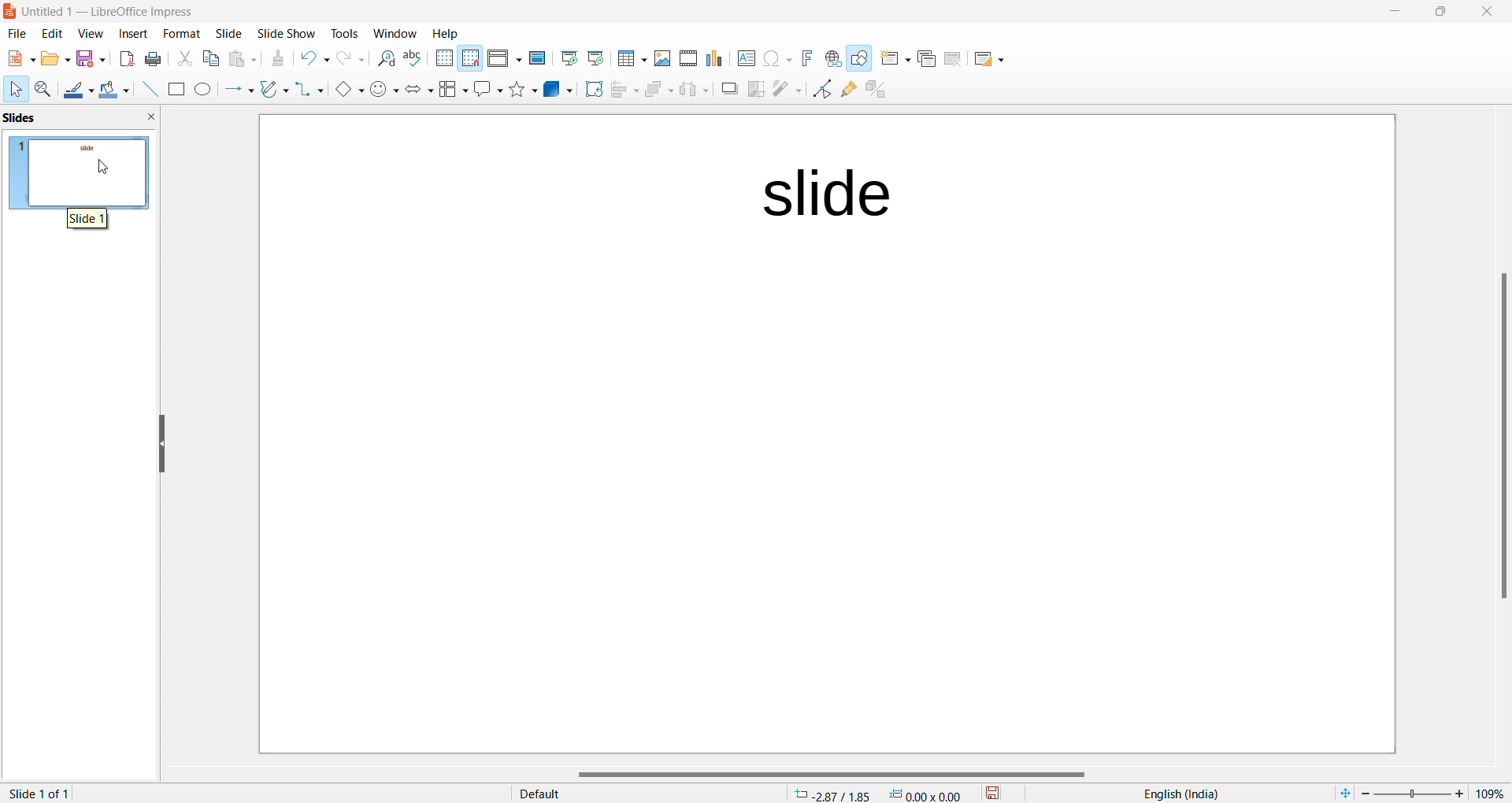  I want to click on cursor, so click(105, 166).